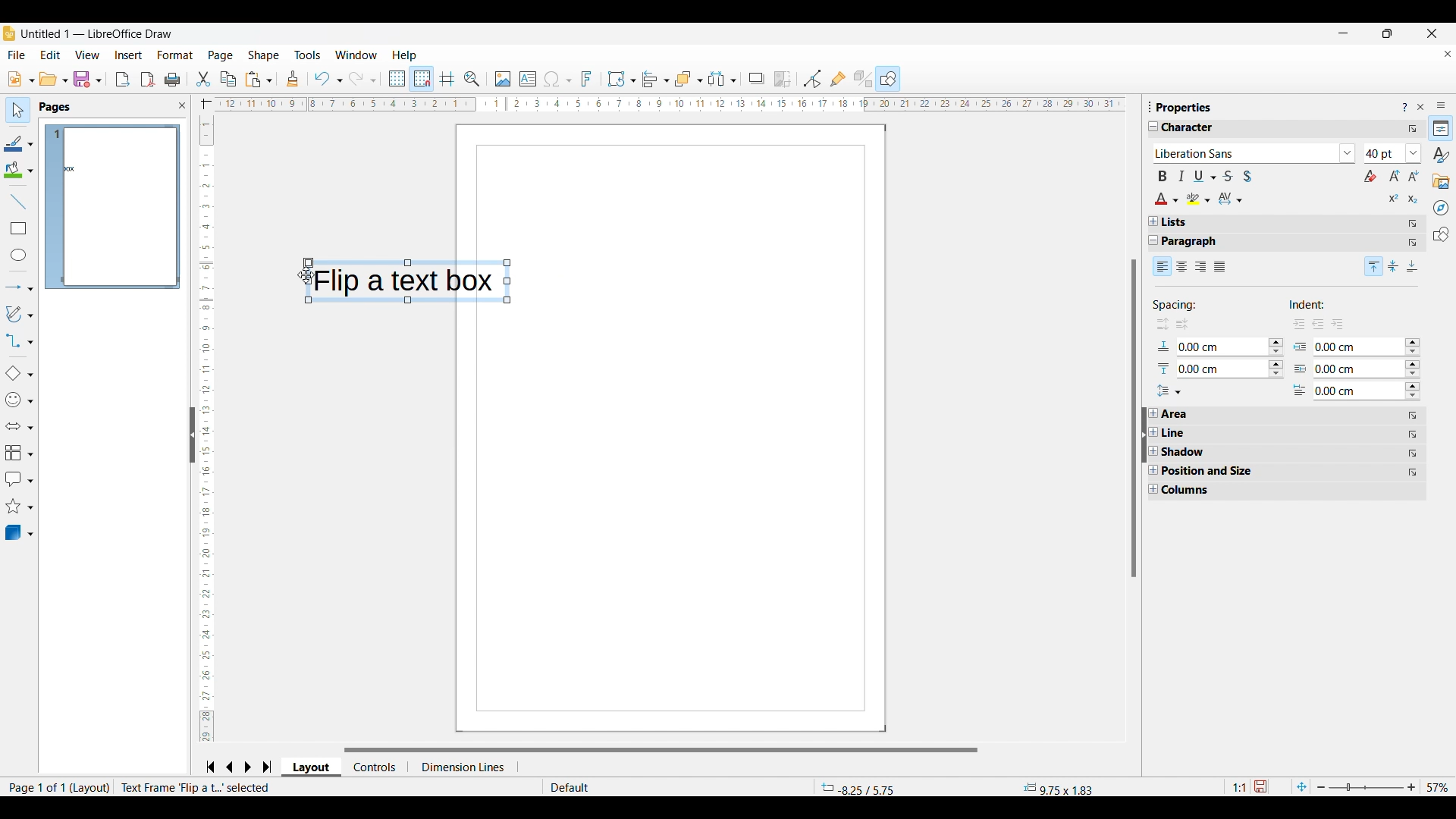 The height and width of the screenshot is (819, 1456). I want to click on Arrange options, so click(689, 80).